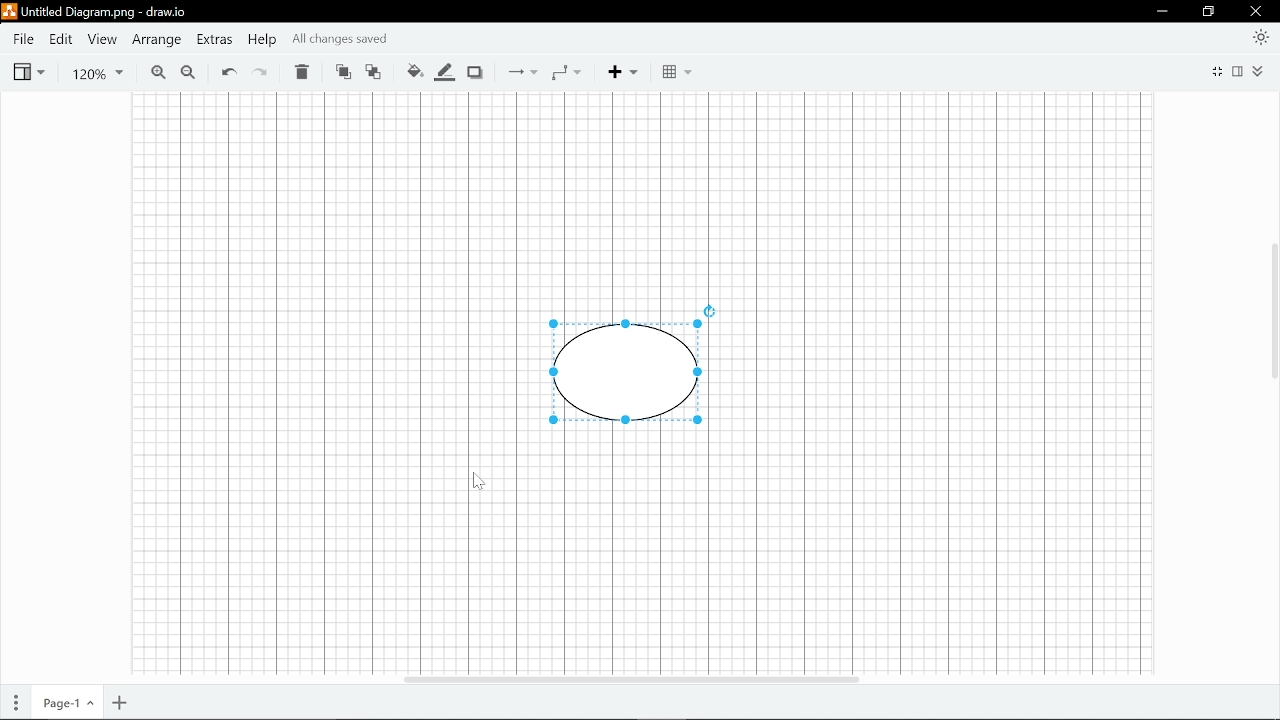 This screenshot has width=1280, height=720. What do you see at coordinates (30, 71) in the screenshot?
I see `view` at bounding box center [30, 71].